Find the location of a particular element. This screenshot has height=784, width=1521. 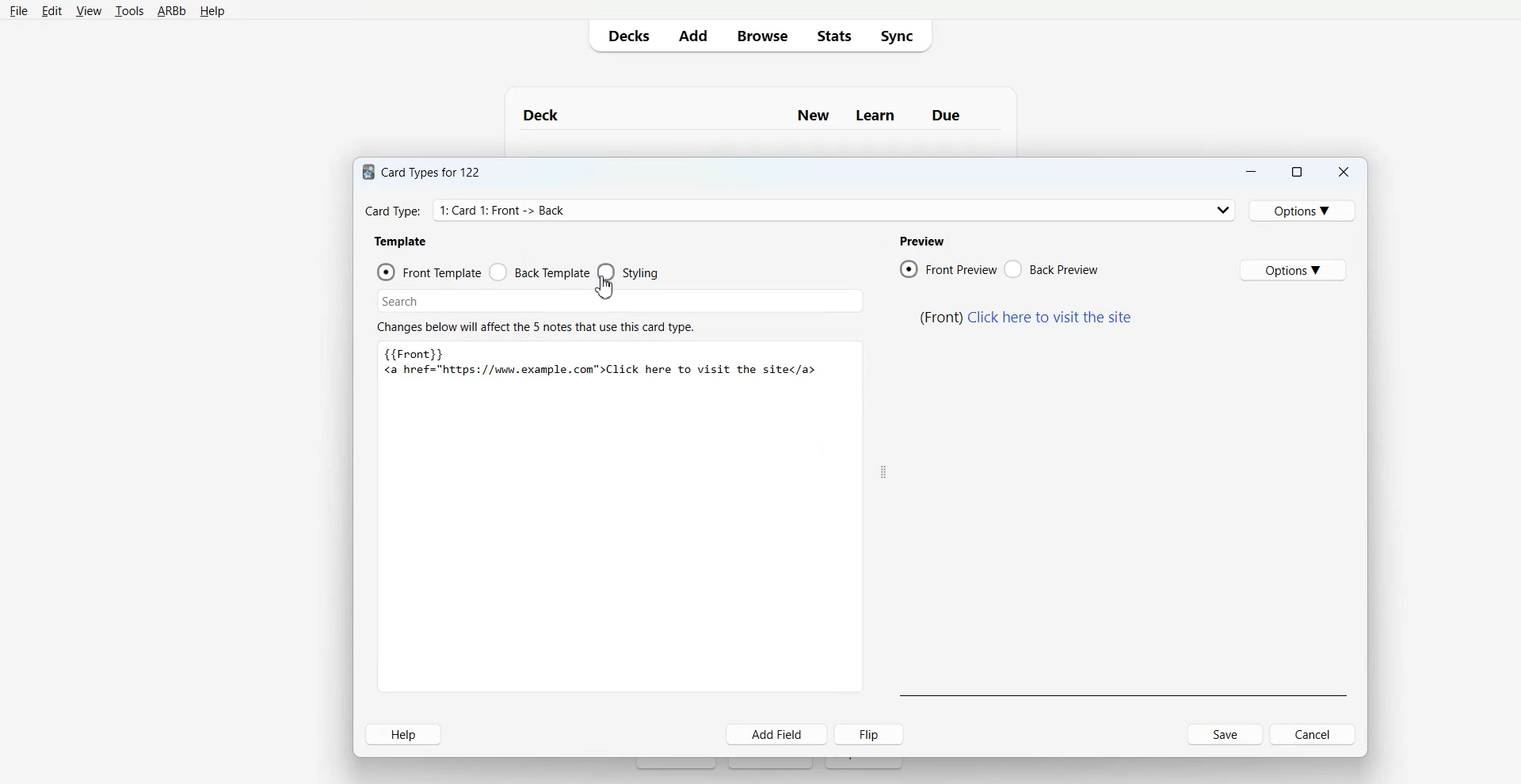

Text 1 is located at coordinates (752, 114).